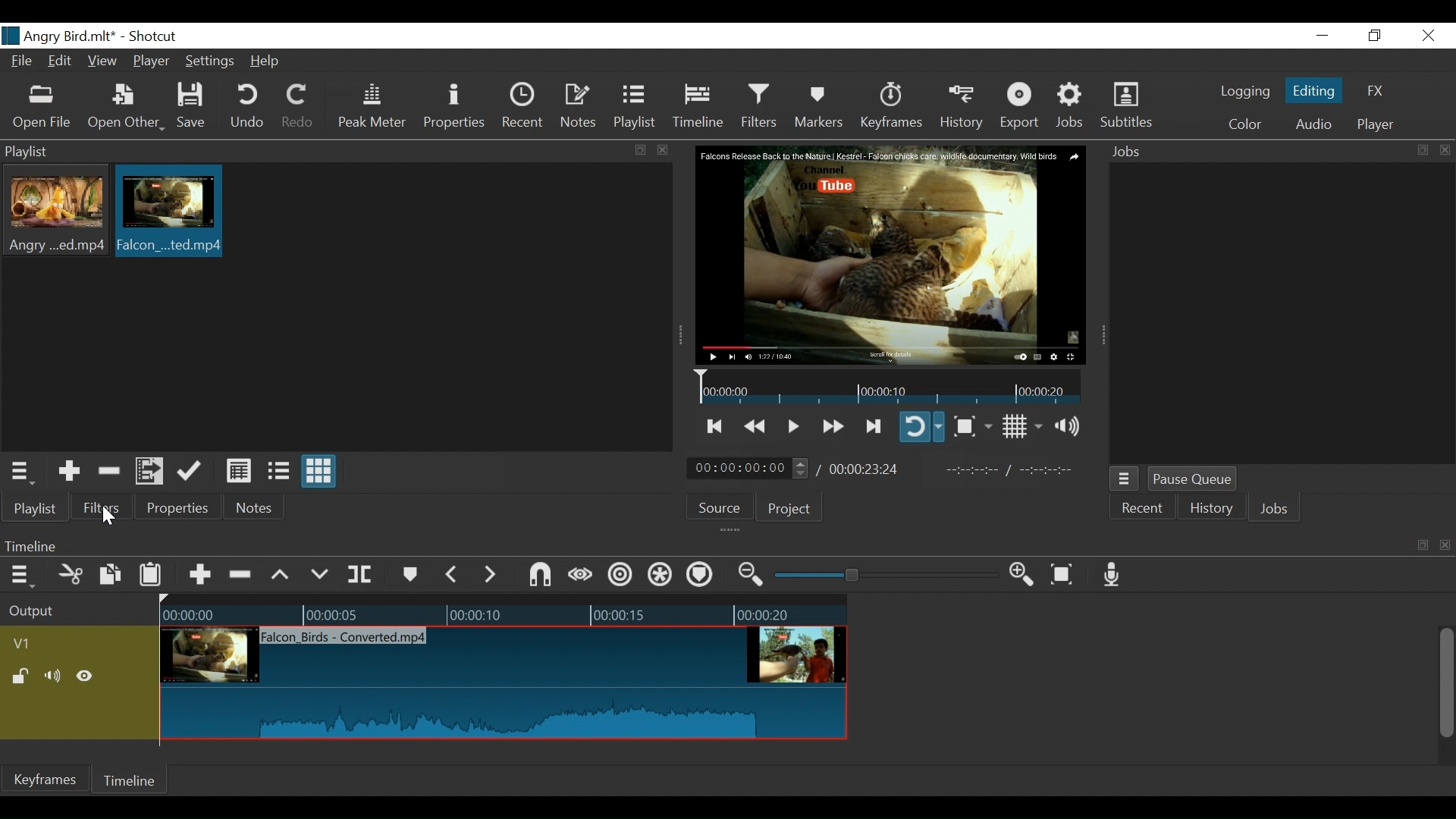 The width and height of the screenshot is (1456, 819). What do you see at coordinates (866, 469) in the screenshot?
I see `Total Duration` at bounding box center [866, 469].